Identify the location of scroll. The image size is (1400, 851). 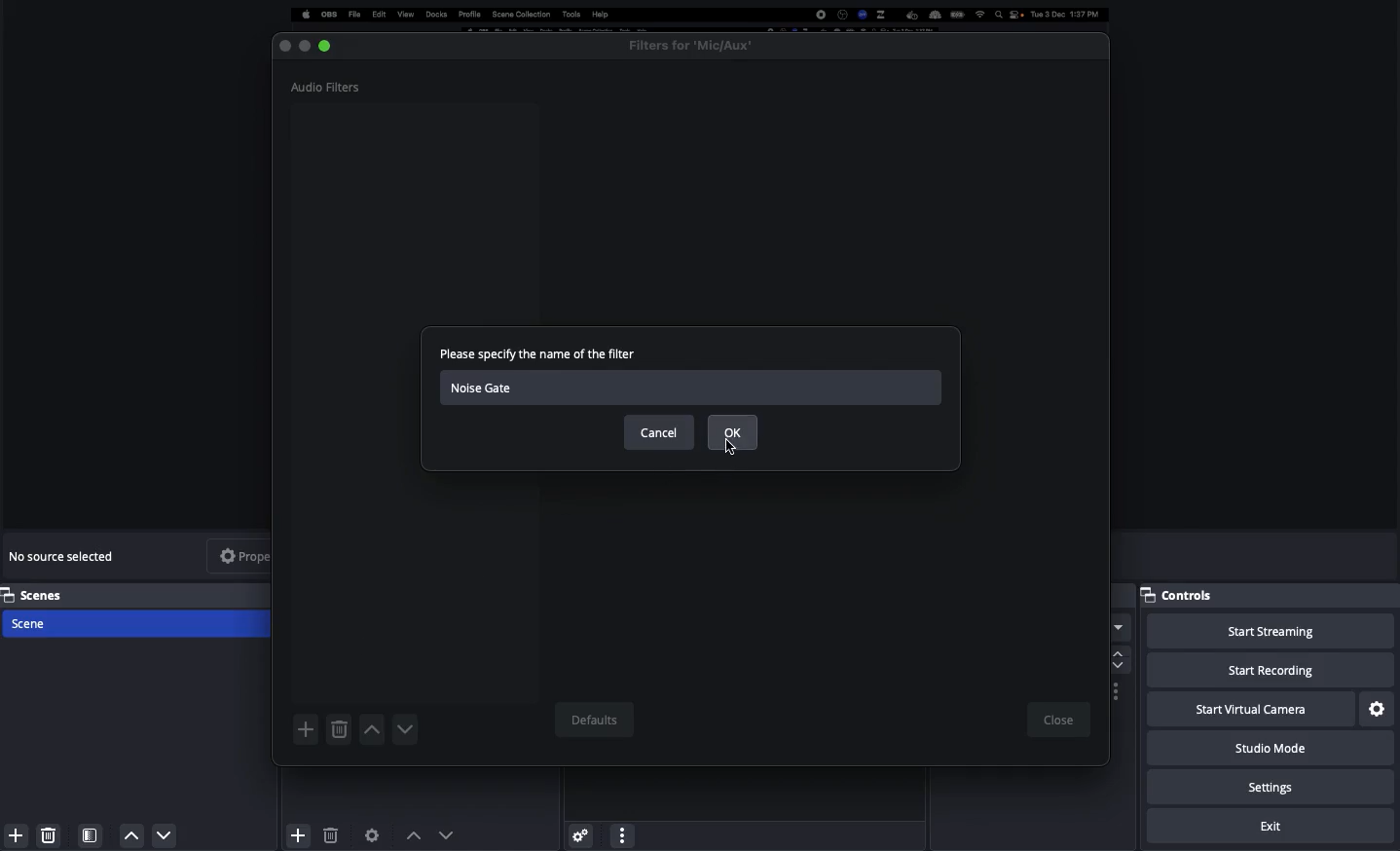
(1116, 659).